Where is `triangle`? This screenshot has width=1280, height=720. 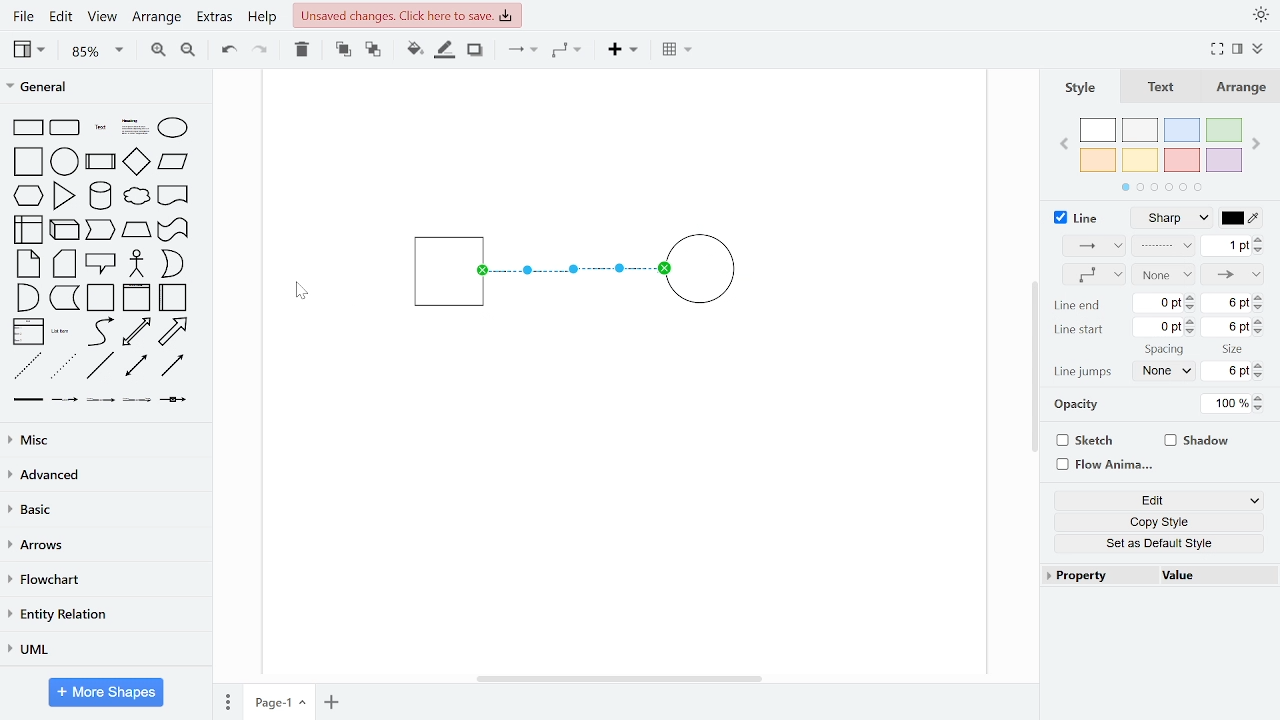
triangle is located at coordinates (65, 195).